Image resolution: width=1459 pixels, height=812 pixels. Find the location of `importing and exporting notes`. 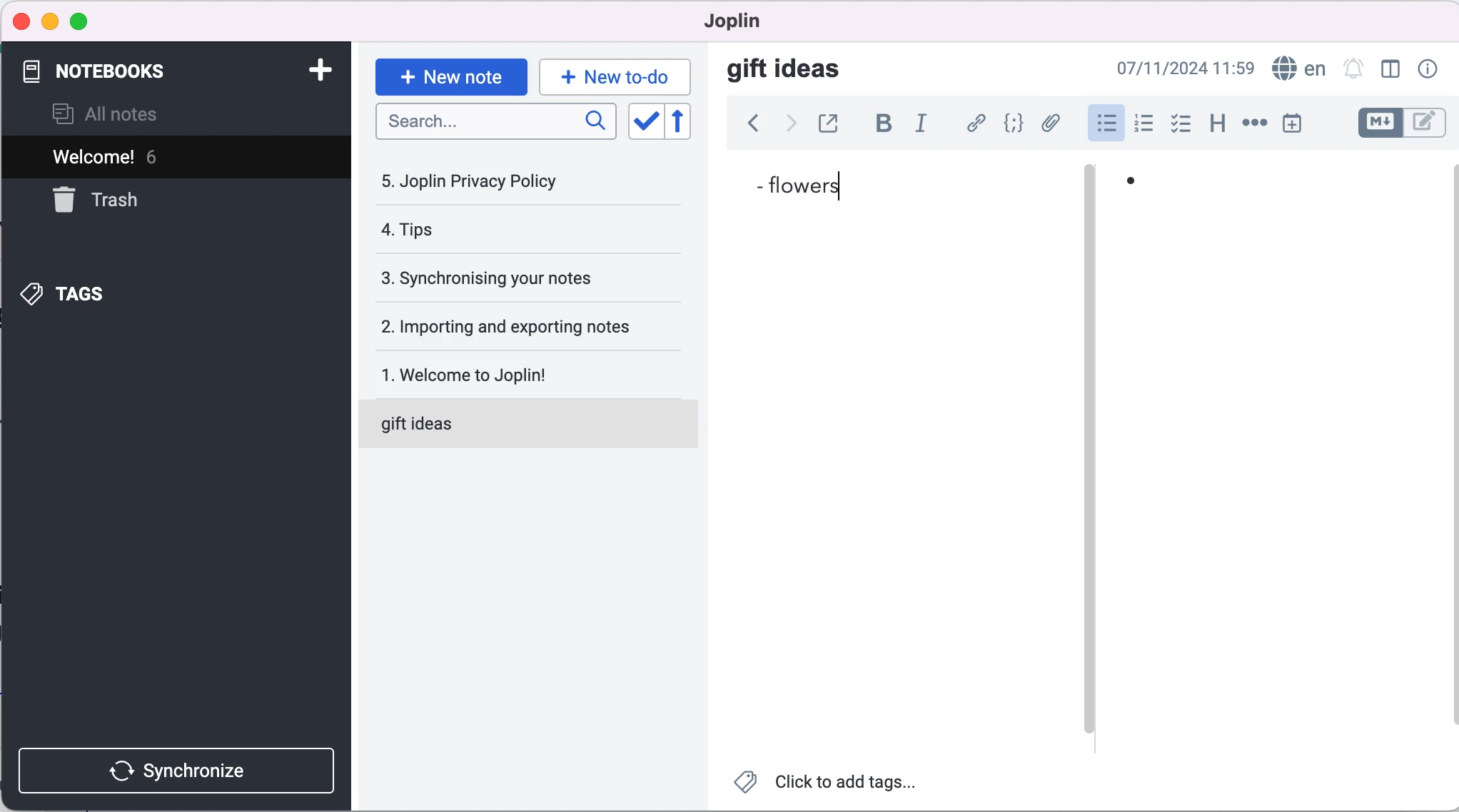

importing and exporting notes is located at coordinates (523, 325).